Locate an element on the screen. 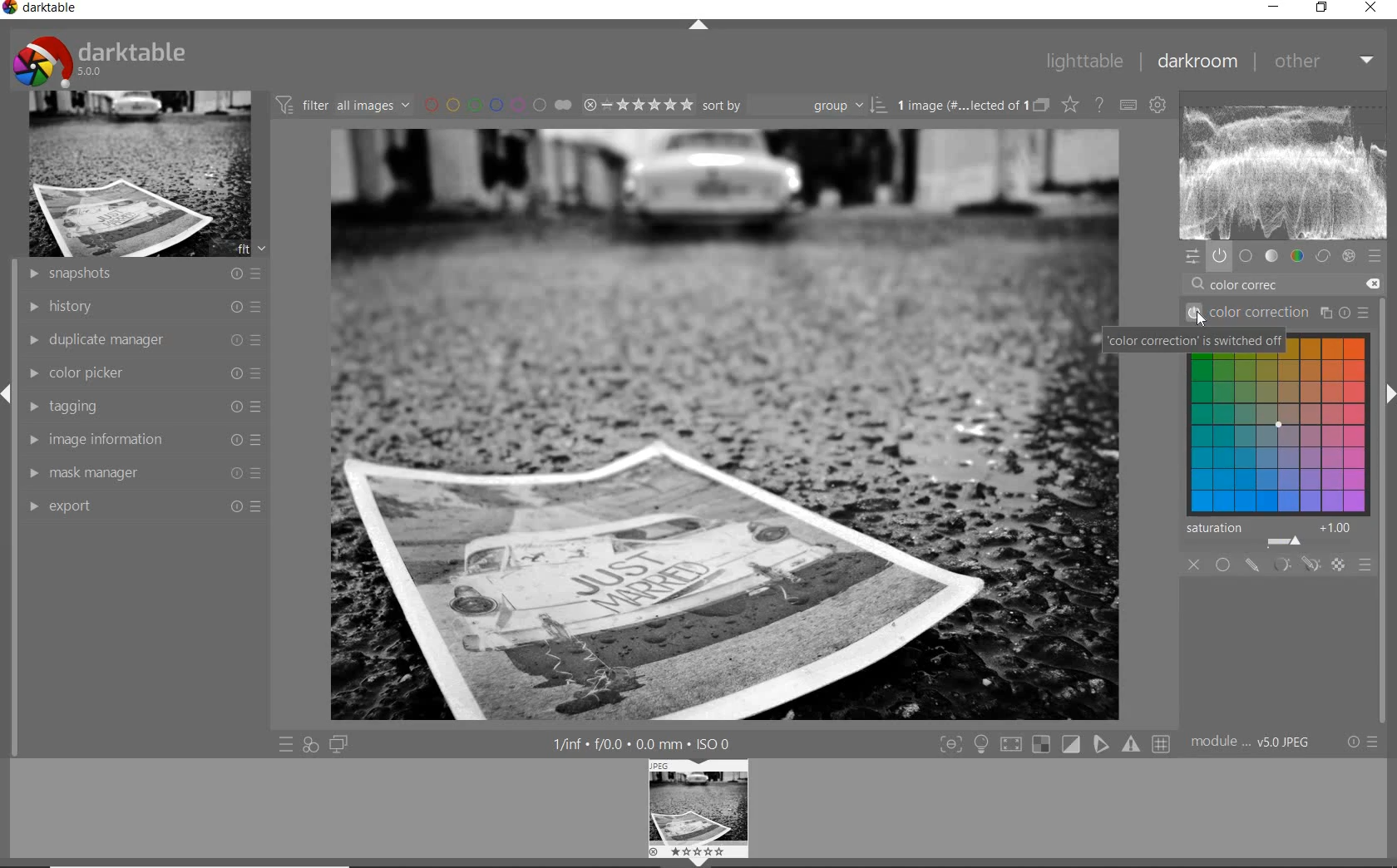 This screenshot has height=868, width=1397. filter images  is located at coordinates (343, 104).